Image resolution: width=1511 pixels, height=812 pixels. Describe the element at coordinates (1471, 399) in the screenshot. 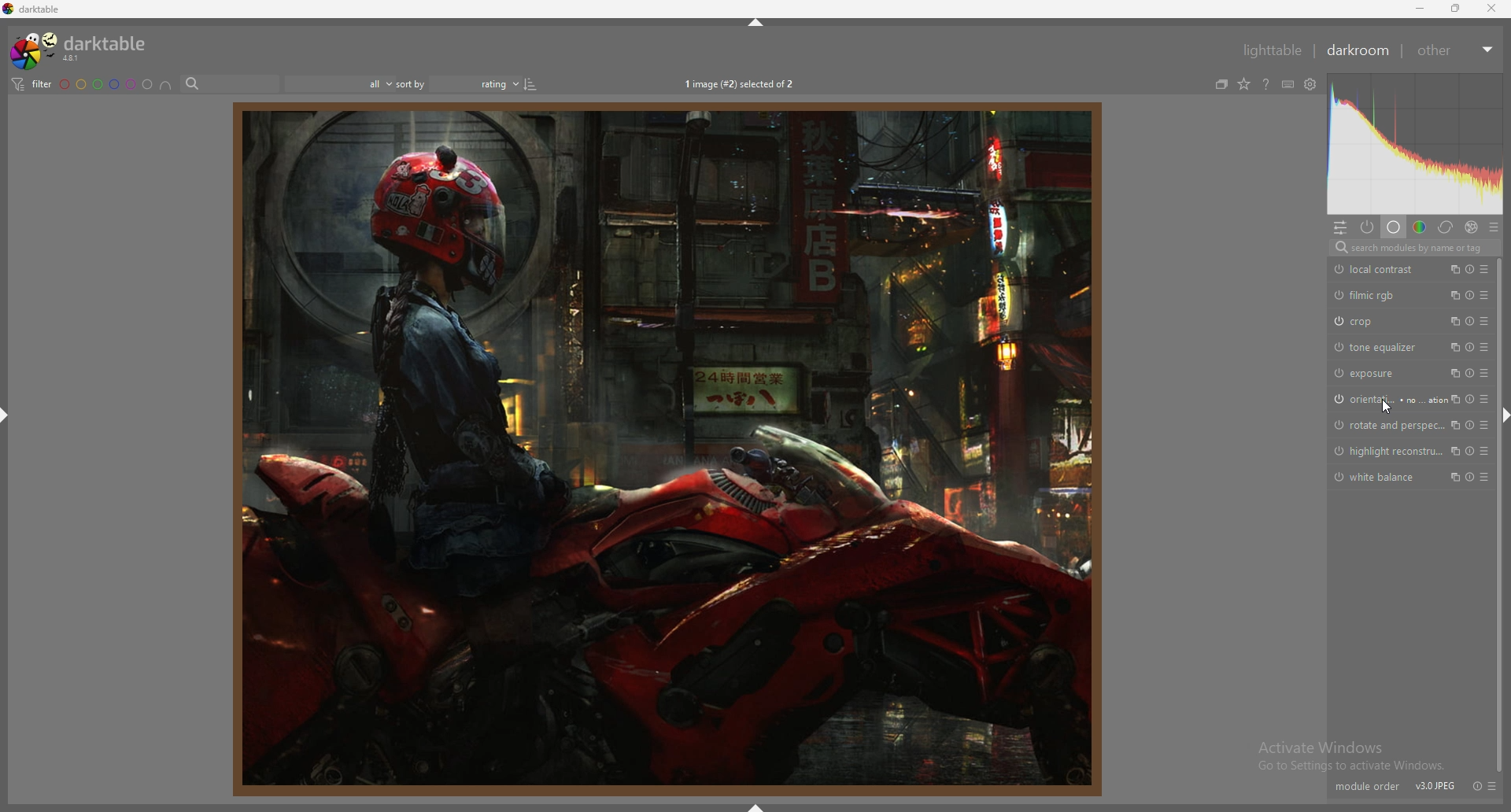

I see `reset` at that location.